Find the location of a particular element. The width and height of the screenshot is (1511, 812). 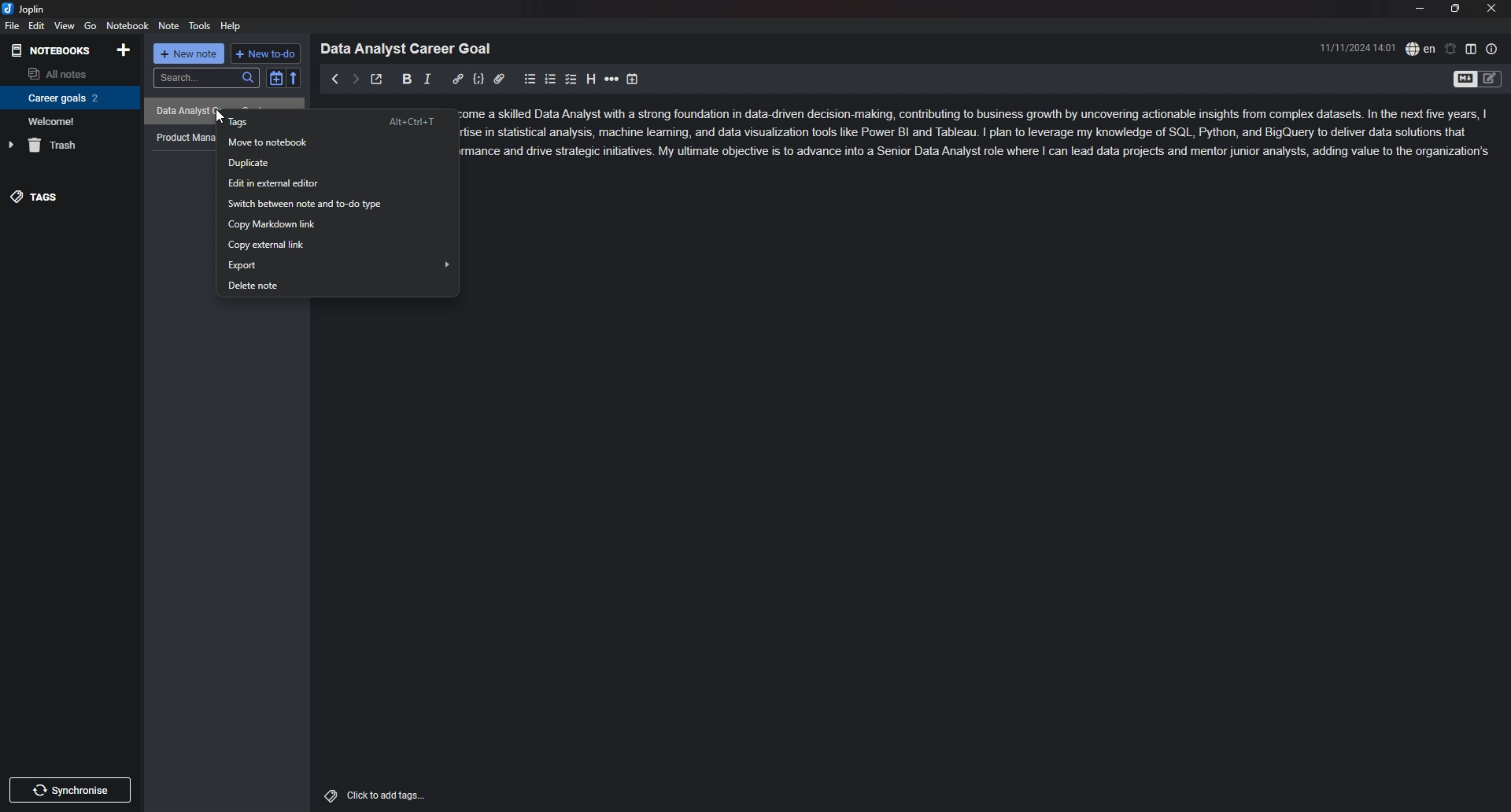

toggle editor is located at coordinates (1464, 80).